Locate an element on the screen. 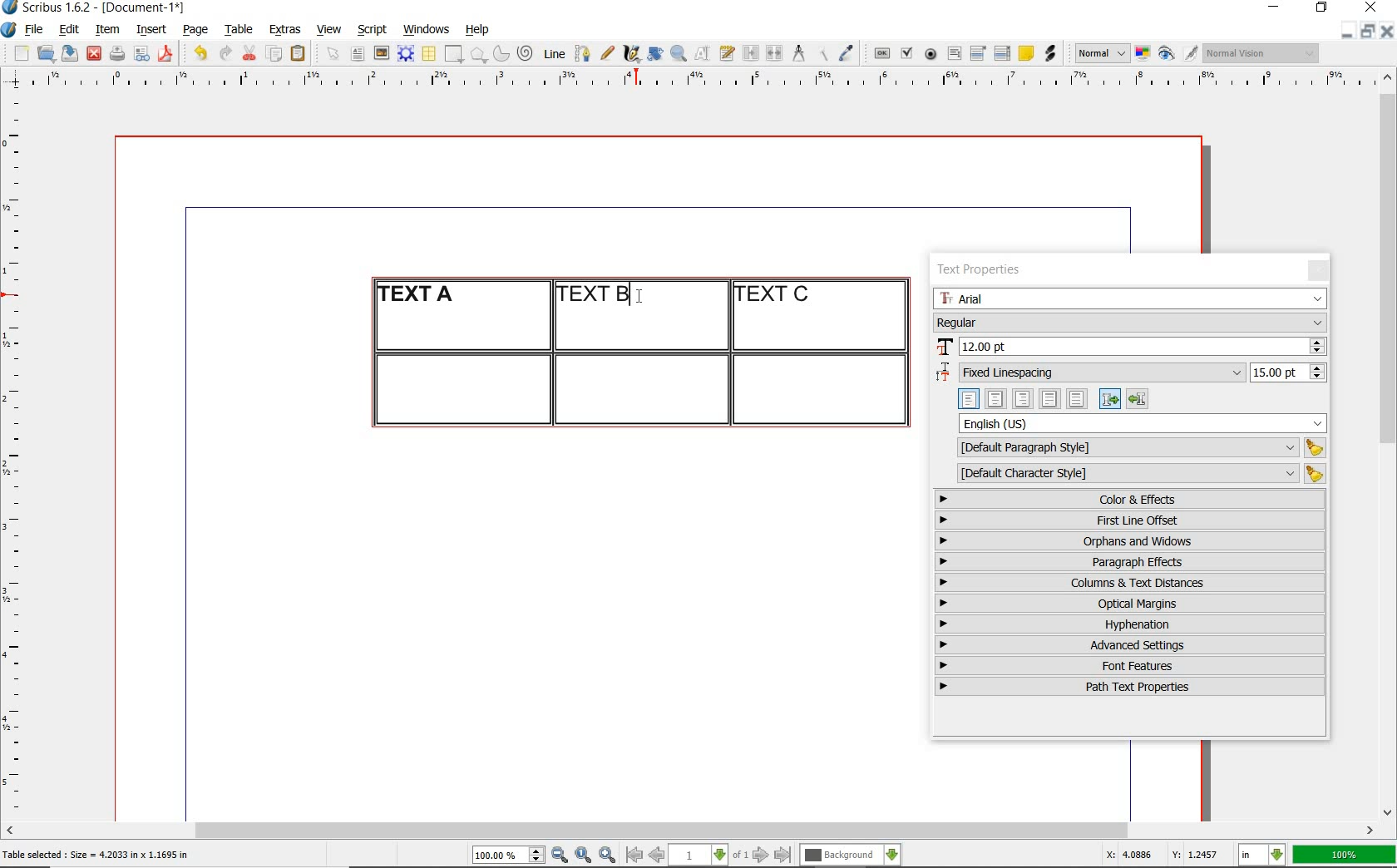  view is located at coordinates (329, 29).